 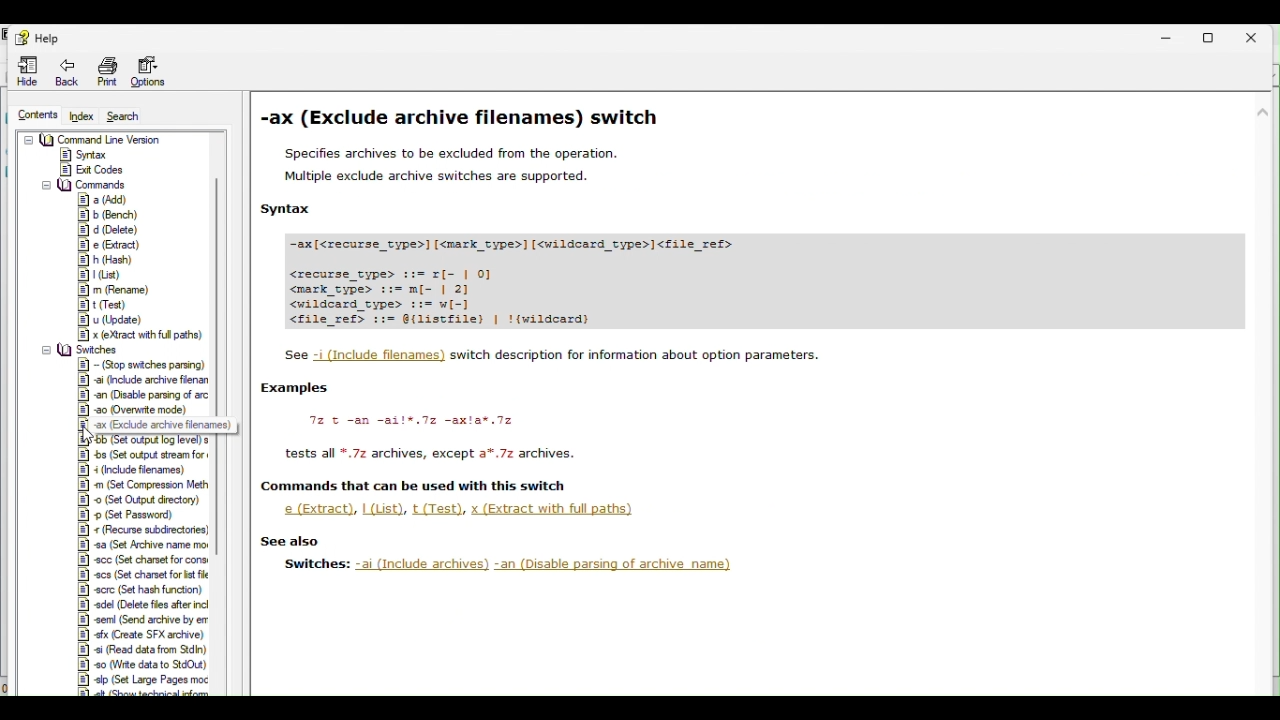 I want to click on |&] bs (Set output stream for +, so click(x=144, y=454).